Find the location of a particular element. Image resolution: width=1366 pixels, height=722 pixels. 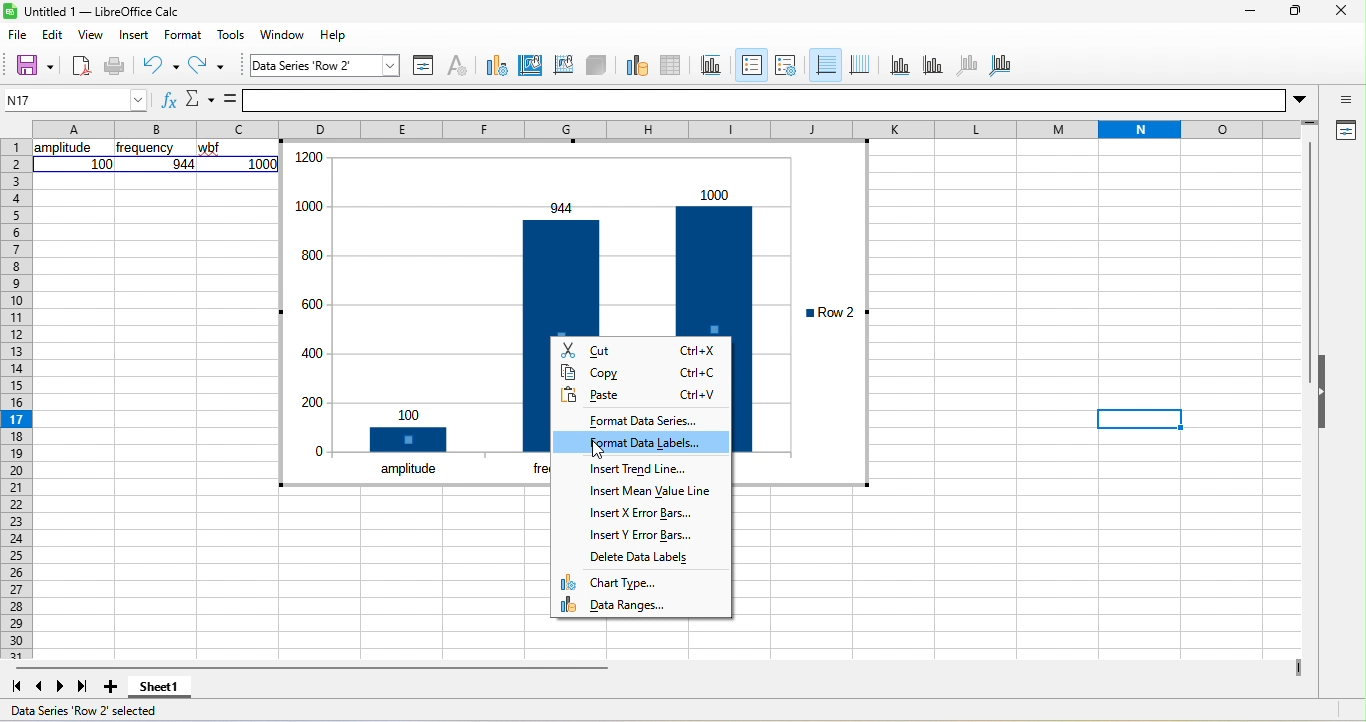

1000 is located at coordinates (263, 164).